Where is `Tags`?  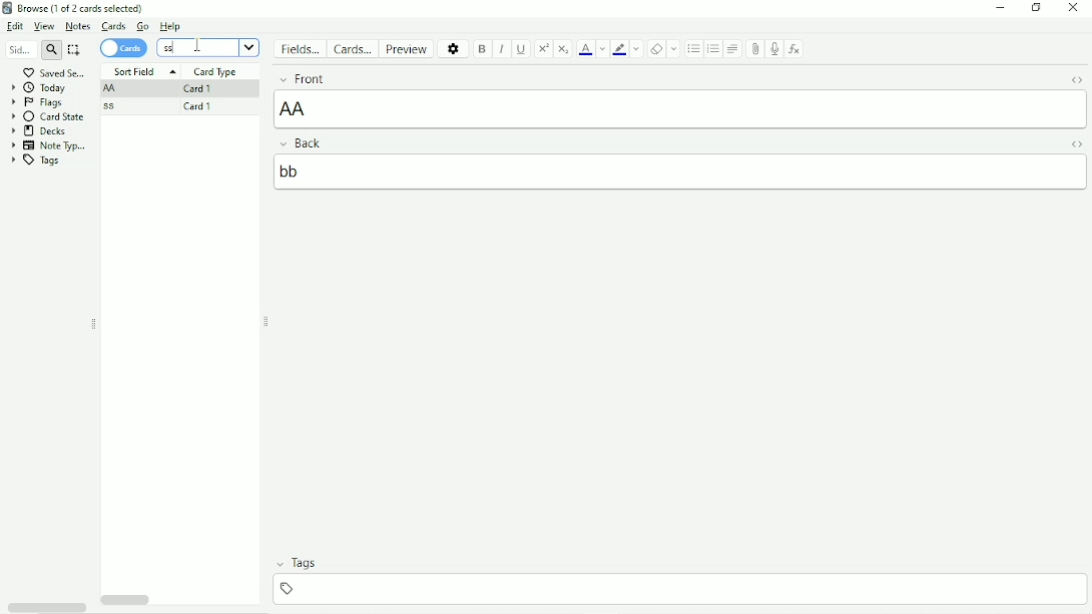
Tags is located at coordinates (679, 564).